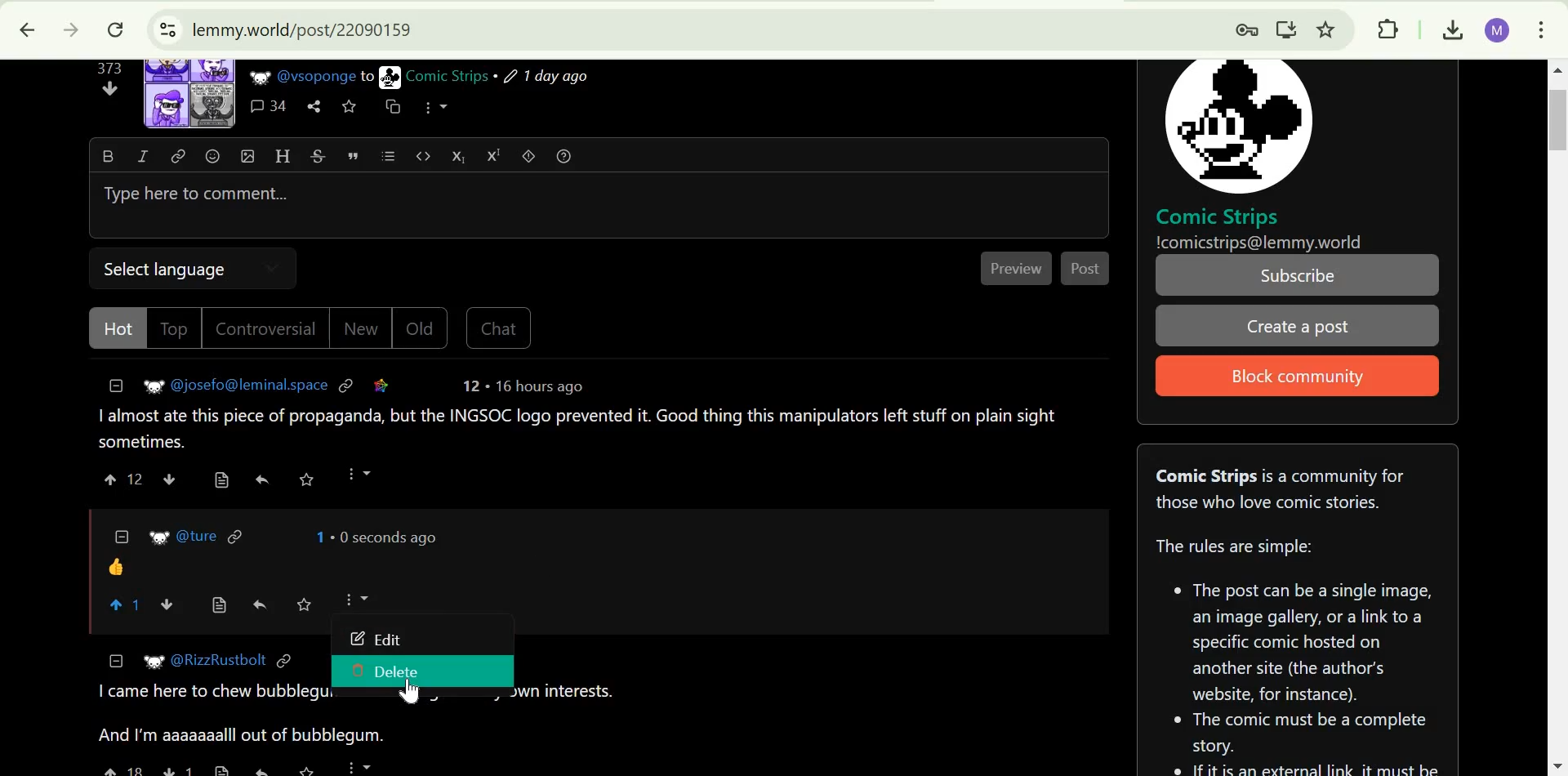 This screenshot has height=776, width=1568. I want to click on Emoji, so click(212, 156).